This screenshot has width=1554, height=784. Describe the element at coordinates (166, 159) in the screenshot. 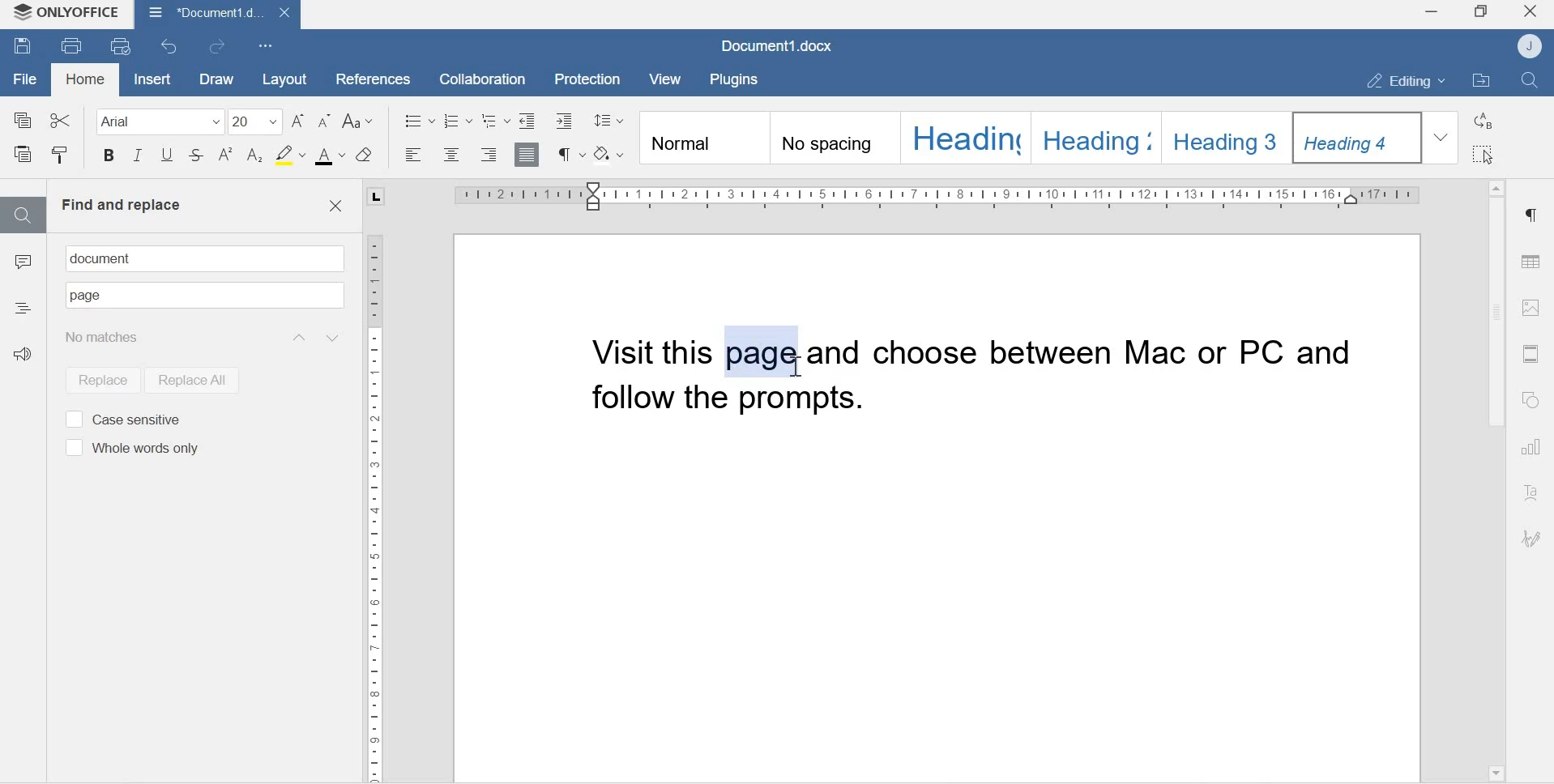

I see `Underline` at that location.